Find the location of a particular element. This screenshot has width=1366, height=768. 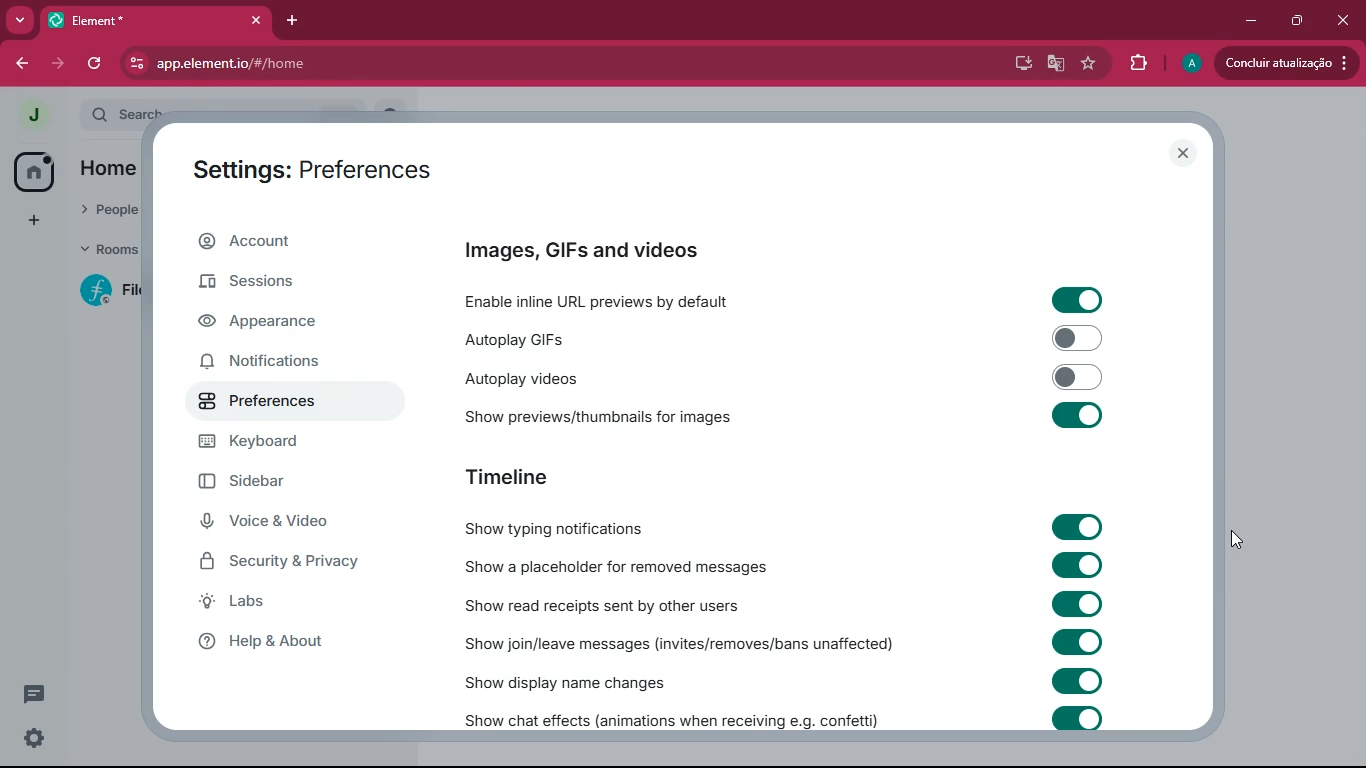

toggle on/off is located at coordinates (1078, 300).